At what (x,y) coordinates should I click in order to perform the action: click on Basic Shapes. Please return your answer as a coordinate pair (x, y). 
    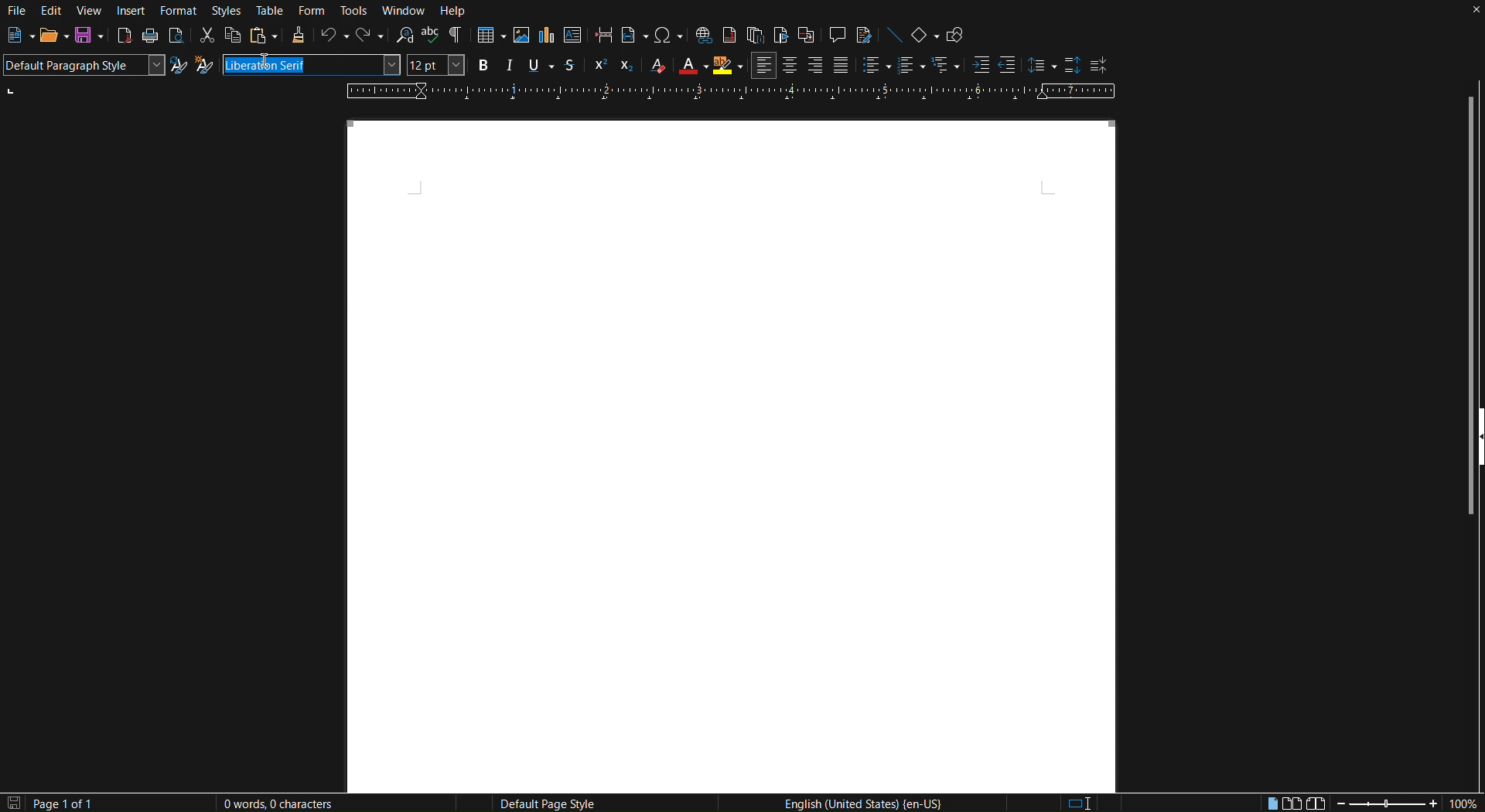
    Looking at the image, I should click on (926, 38).